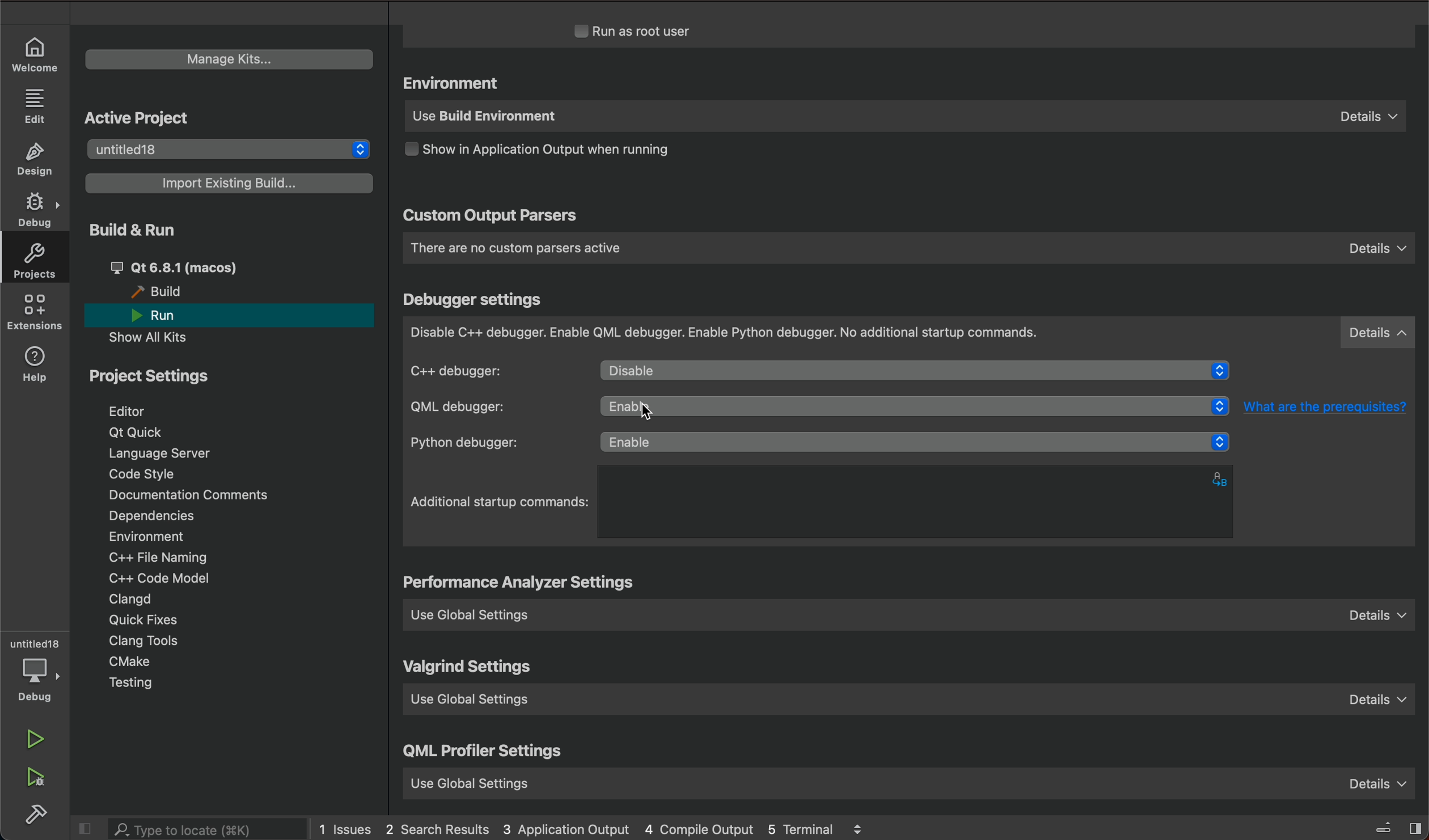  I want to click on code style, so click(144, 476).